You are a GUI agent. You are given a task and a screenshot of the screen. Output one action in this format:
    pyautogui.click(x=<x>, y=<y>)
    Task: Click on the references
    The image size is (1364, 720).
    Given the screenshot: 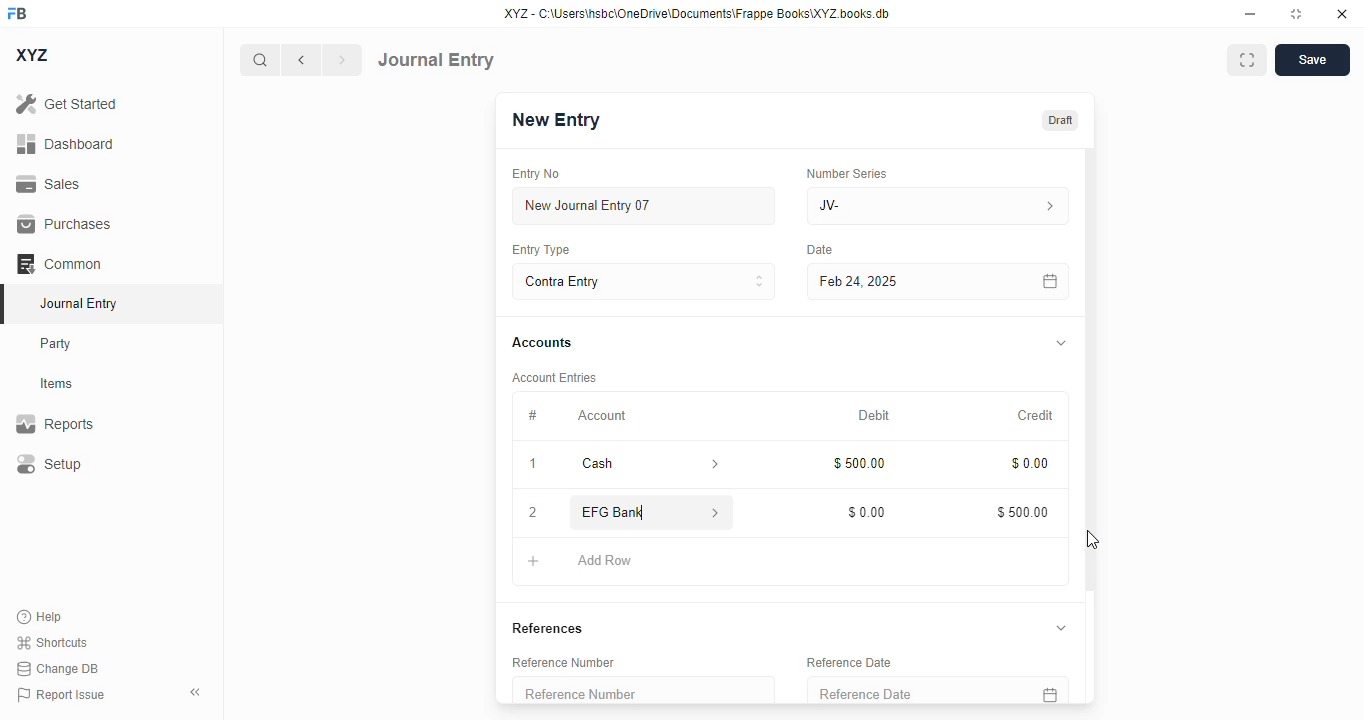 What is the action you would take?
    pyautogui.click(x=548, y=628)
    